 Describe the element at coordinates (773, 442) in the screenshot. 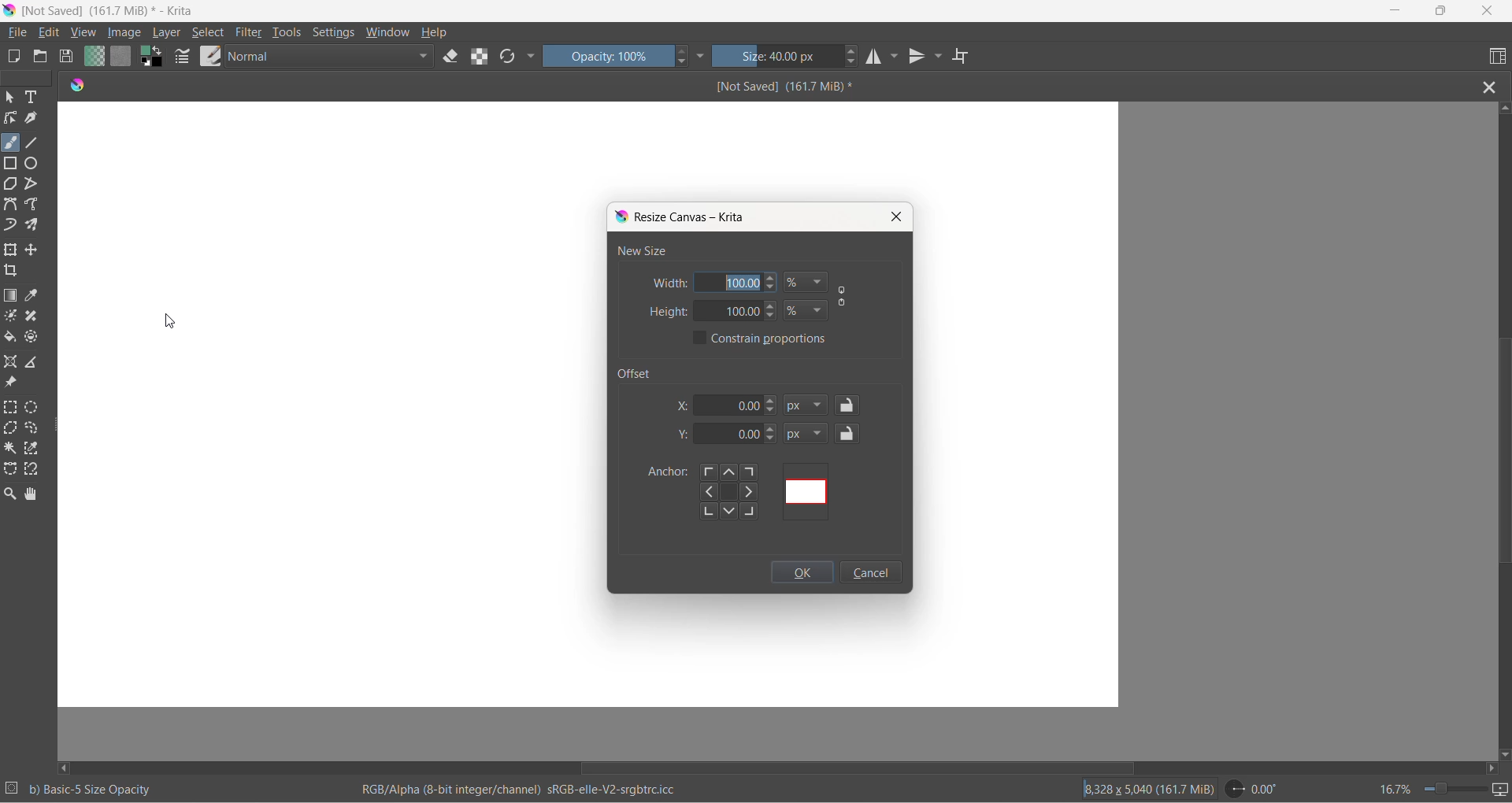

I see `y-axis value decrement` at that location.